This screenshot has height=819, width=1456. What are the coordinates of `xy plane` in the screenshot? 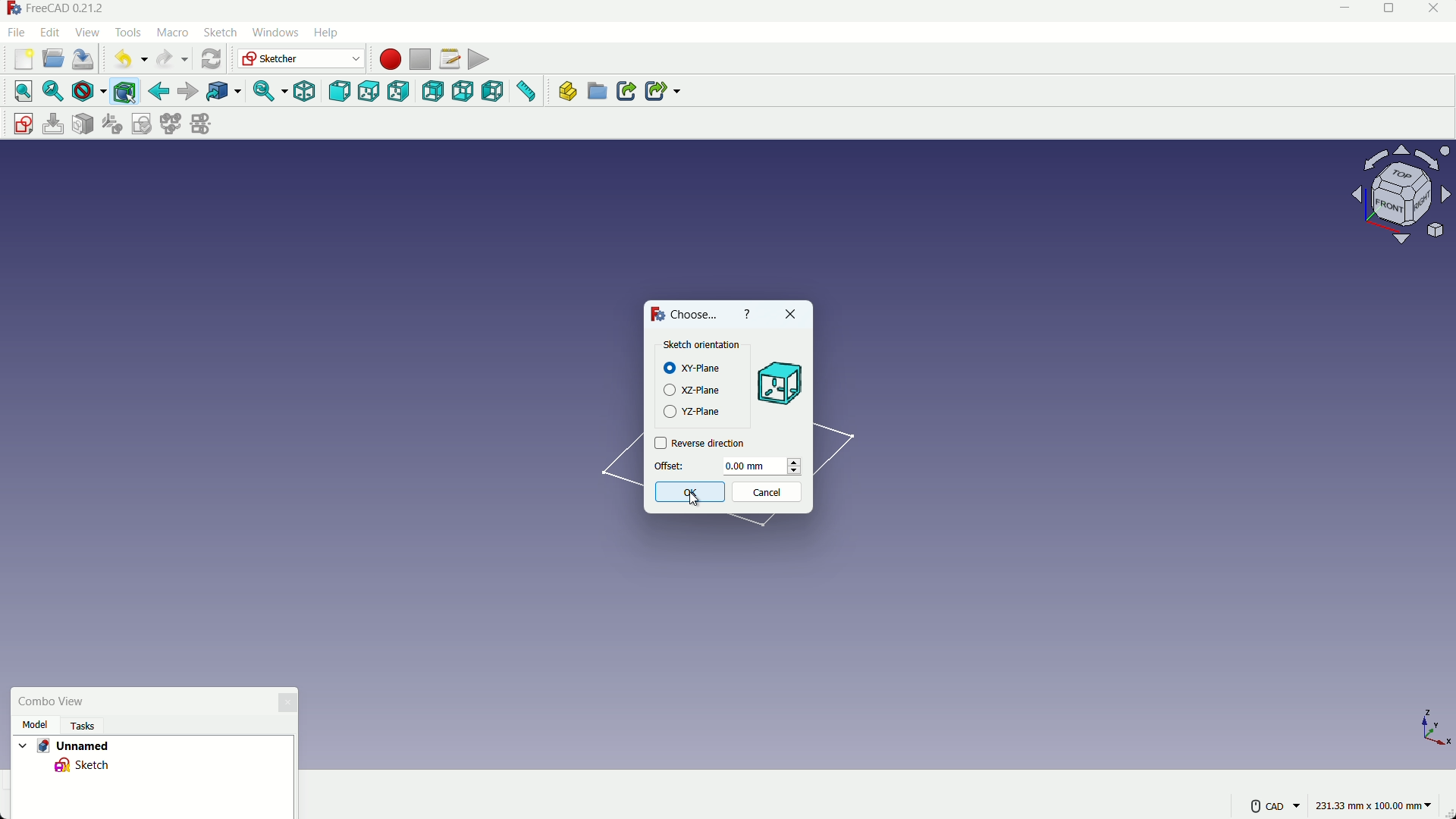 It's located at (695, 367).